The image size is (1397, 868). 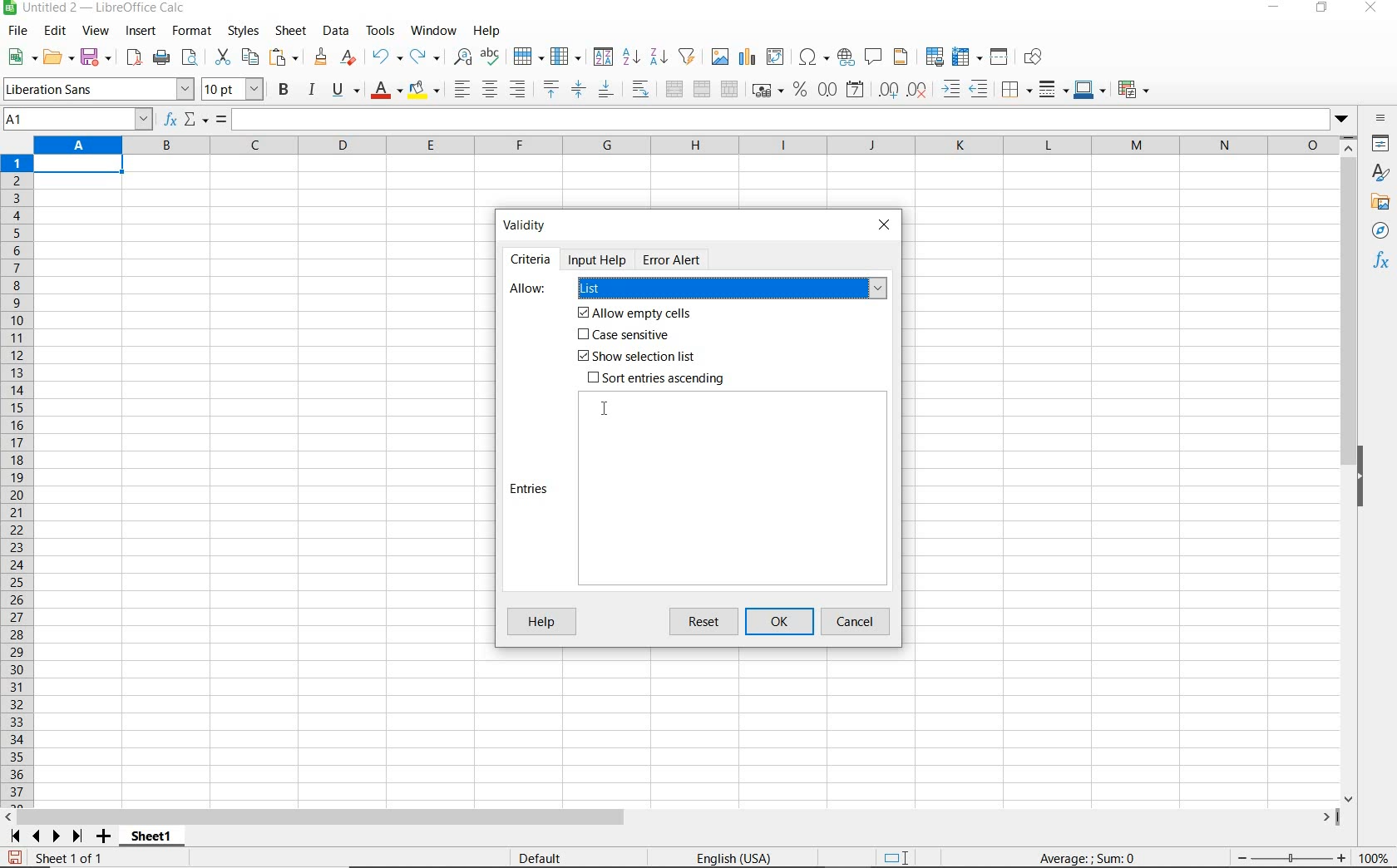 What do you see at coordinates (968, 57) in the screenshot?
I see `freeze rows and columns` at bounding box center [968, 57].